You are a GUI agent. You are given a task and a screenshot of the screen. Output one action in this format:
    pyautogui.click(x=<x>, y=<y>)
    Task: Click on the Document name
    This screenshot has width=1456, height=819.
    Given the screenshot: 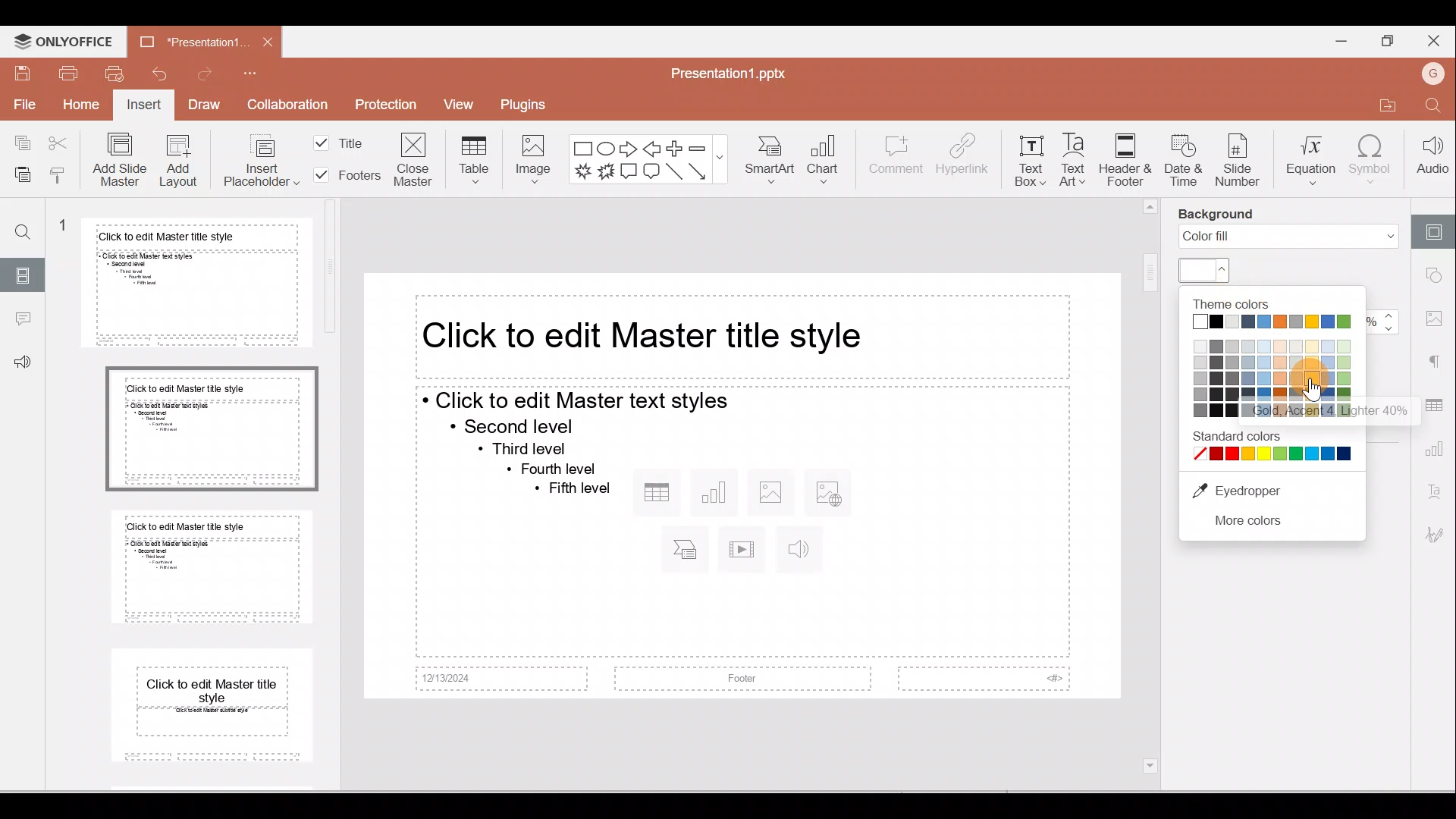 What is the action you would take?
    pyautogui.click(x=729, y=70)
    